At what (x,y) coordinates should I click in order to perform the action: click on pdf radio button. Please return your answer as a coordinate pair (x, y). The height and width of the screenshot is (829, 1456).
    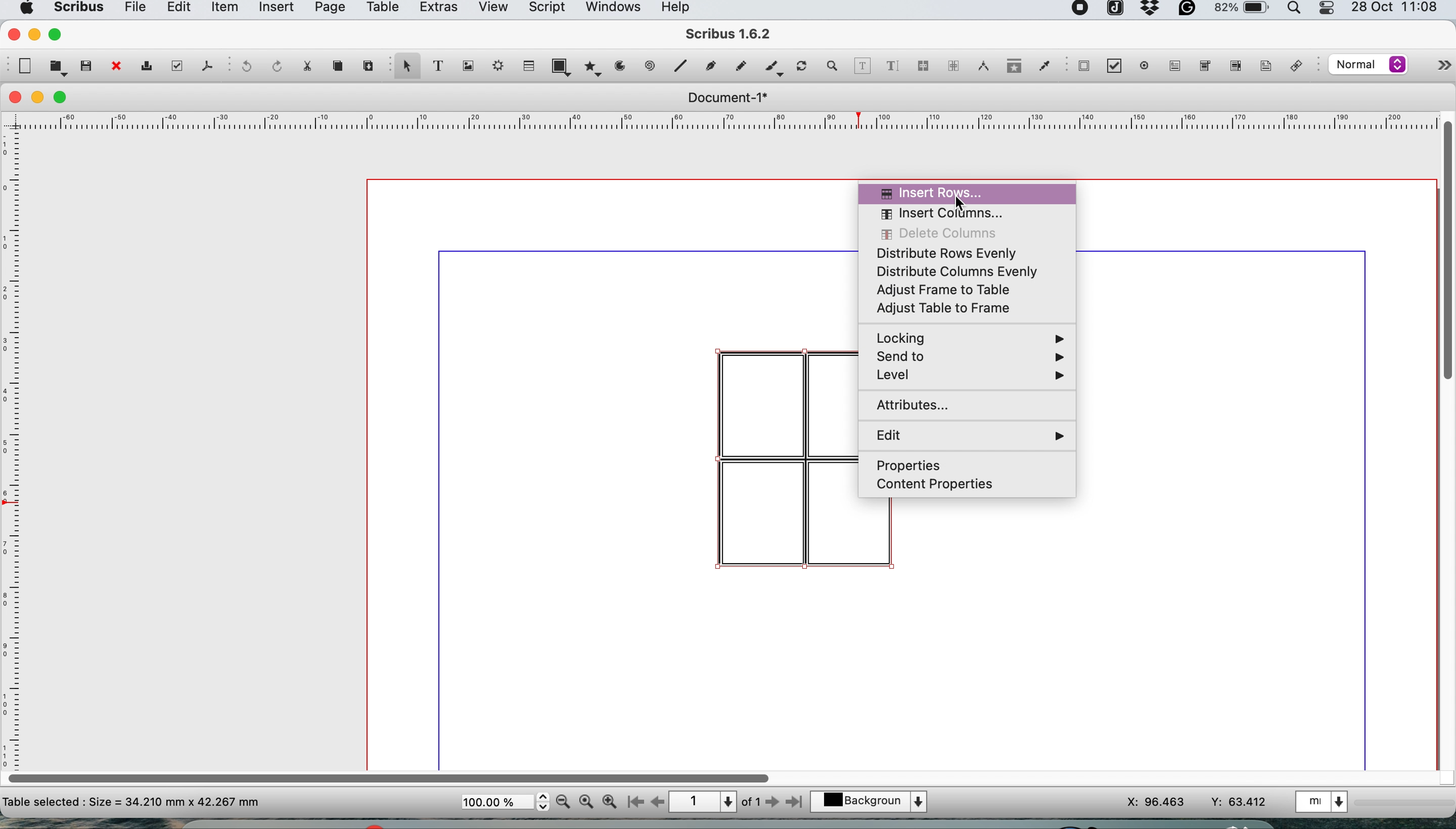
    Looking at the image, I should click on (1145, 65).